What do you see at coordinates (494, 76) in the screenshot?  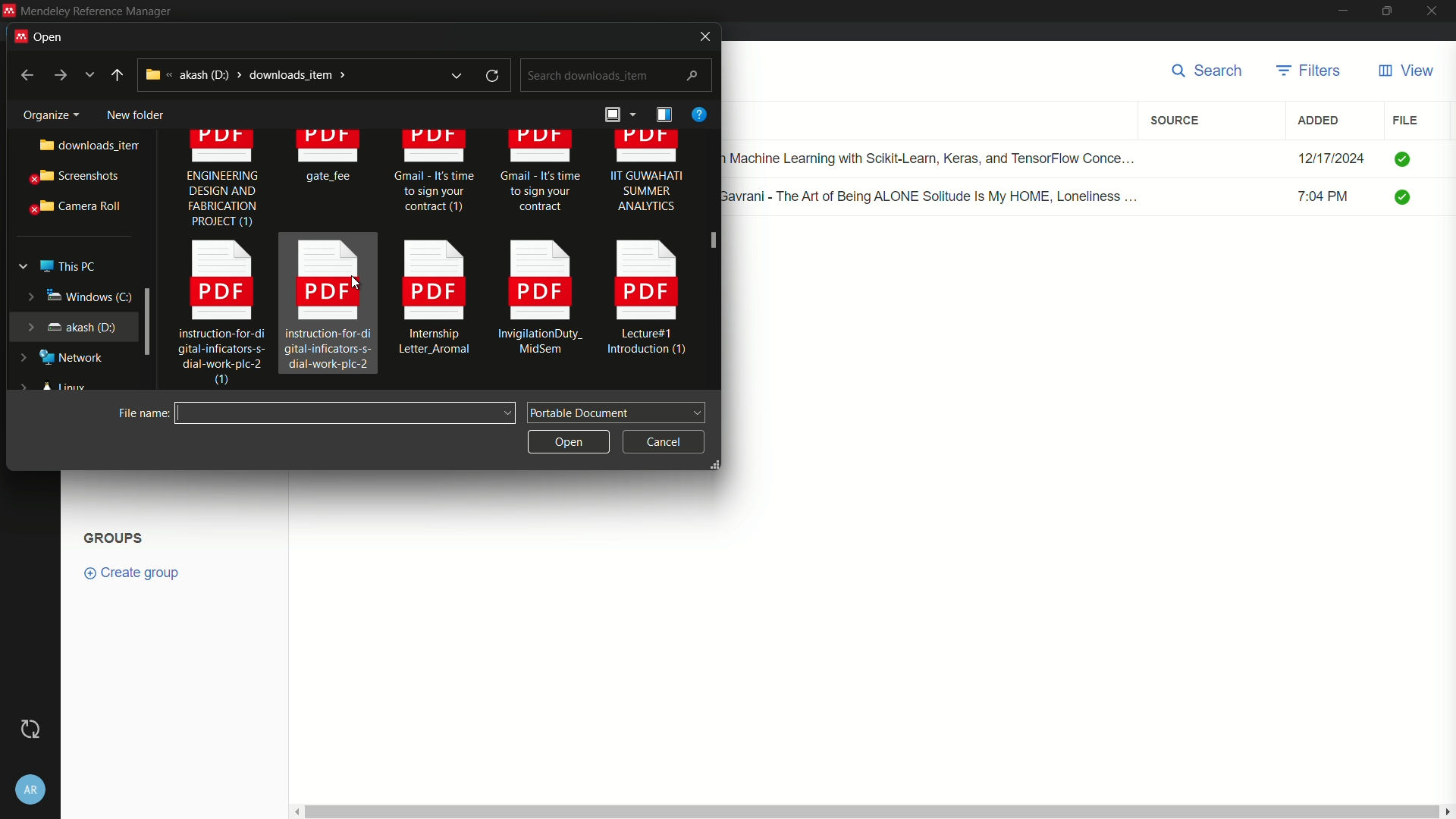 I see `refresh` at bounding box center [494, 76].